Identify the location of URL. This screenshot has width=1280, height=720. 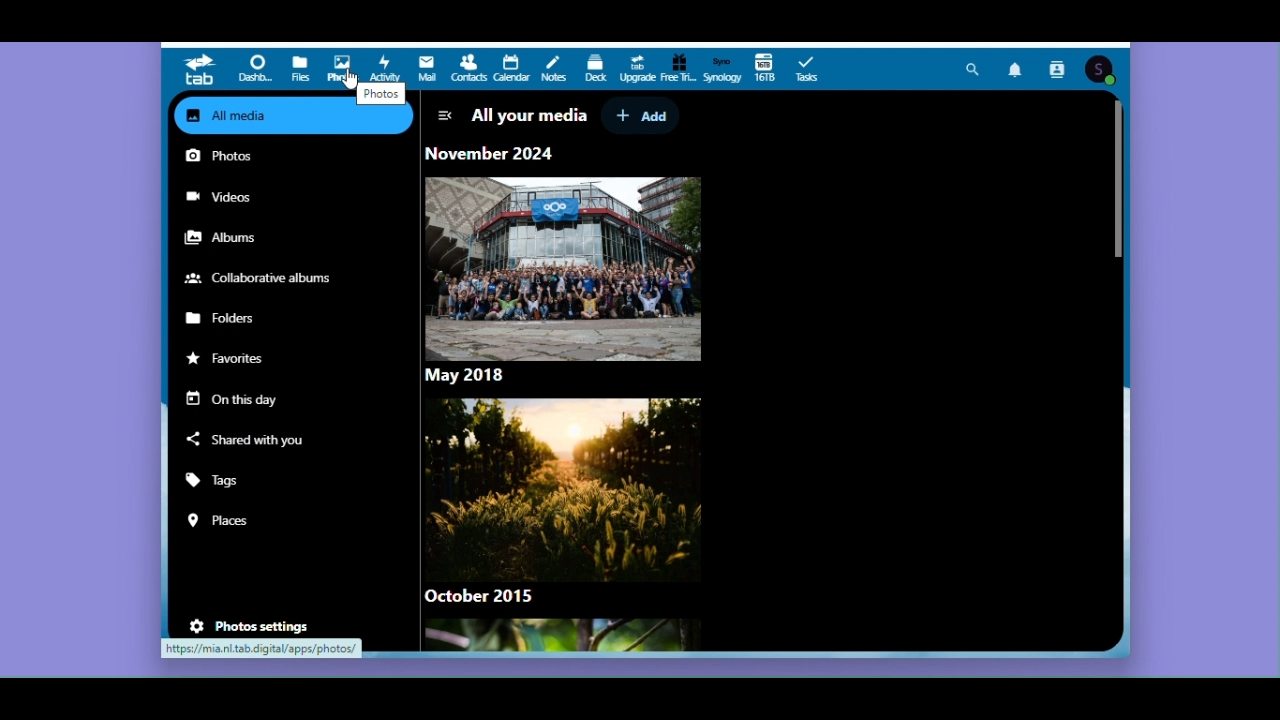
(264, 649).